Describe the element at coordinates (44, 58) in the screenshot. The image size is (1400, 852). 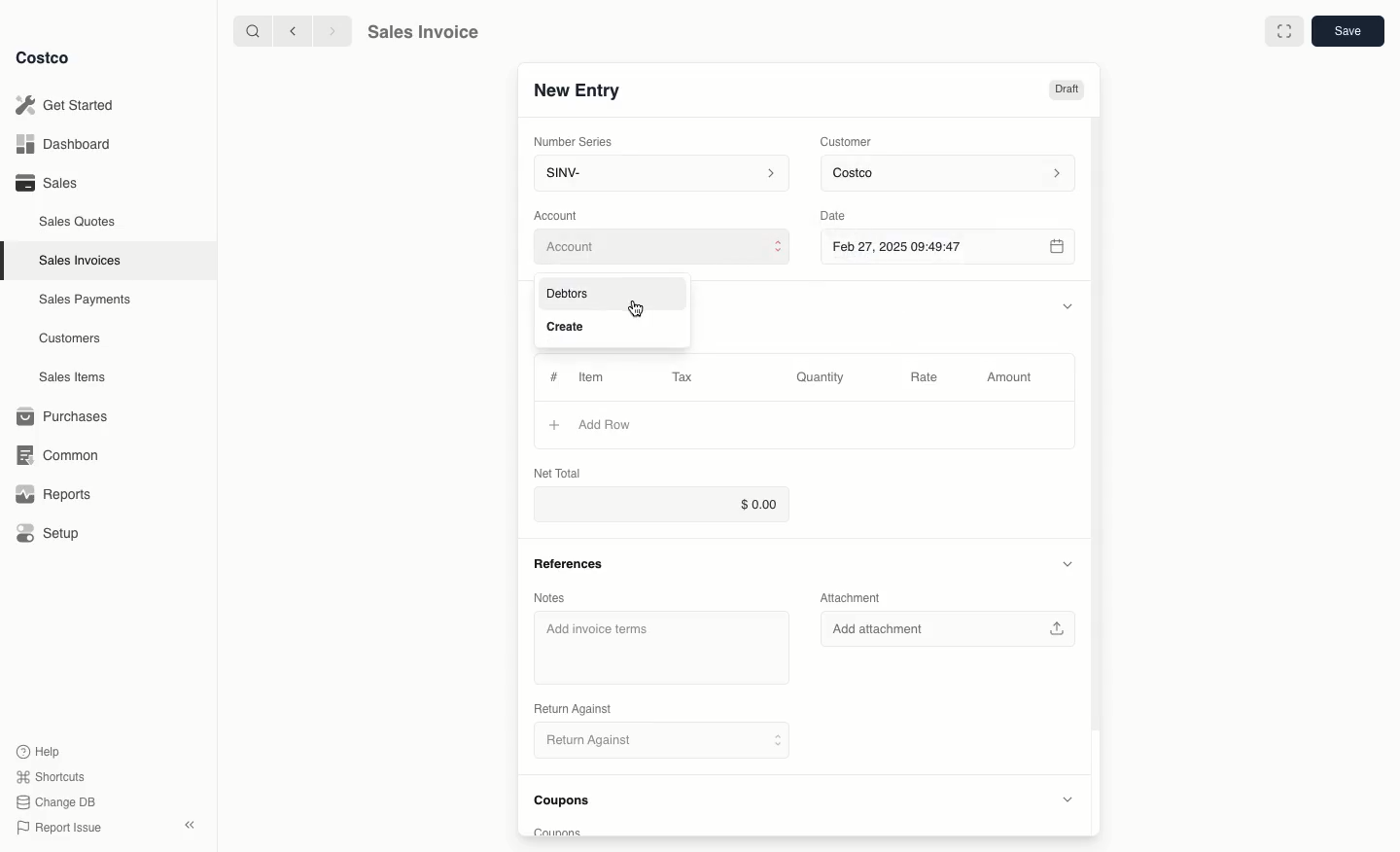
I see `Costco` at that location.